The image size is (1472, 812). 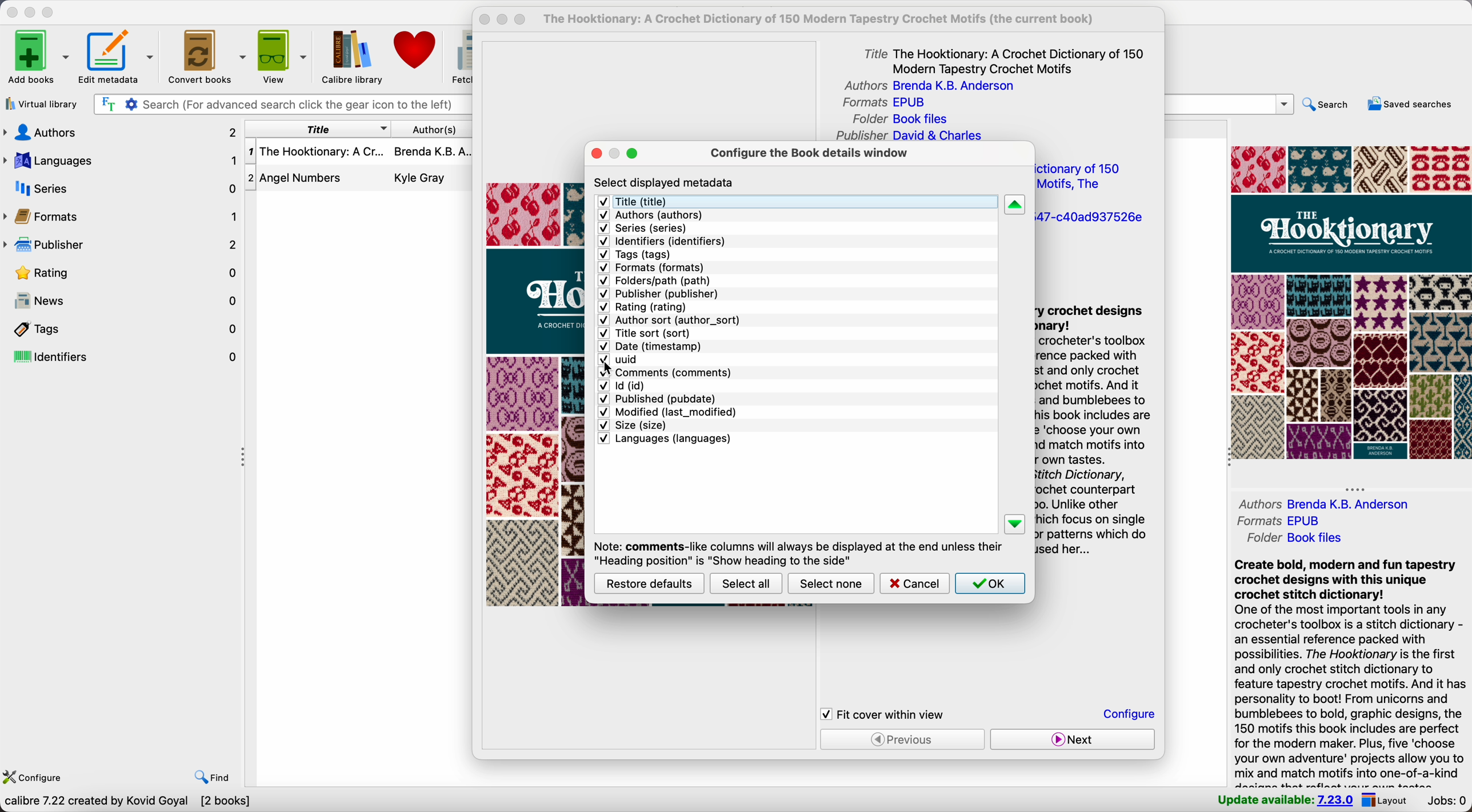 I want to click on synopsis, so click(x=1350, y=671).